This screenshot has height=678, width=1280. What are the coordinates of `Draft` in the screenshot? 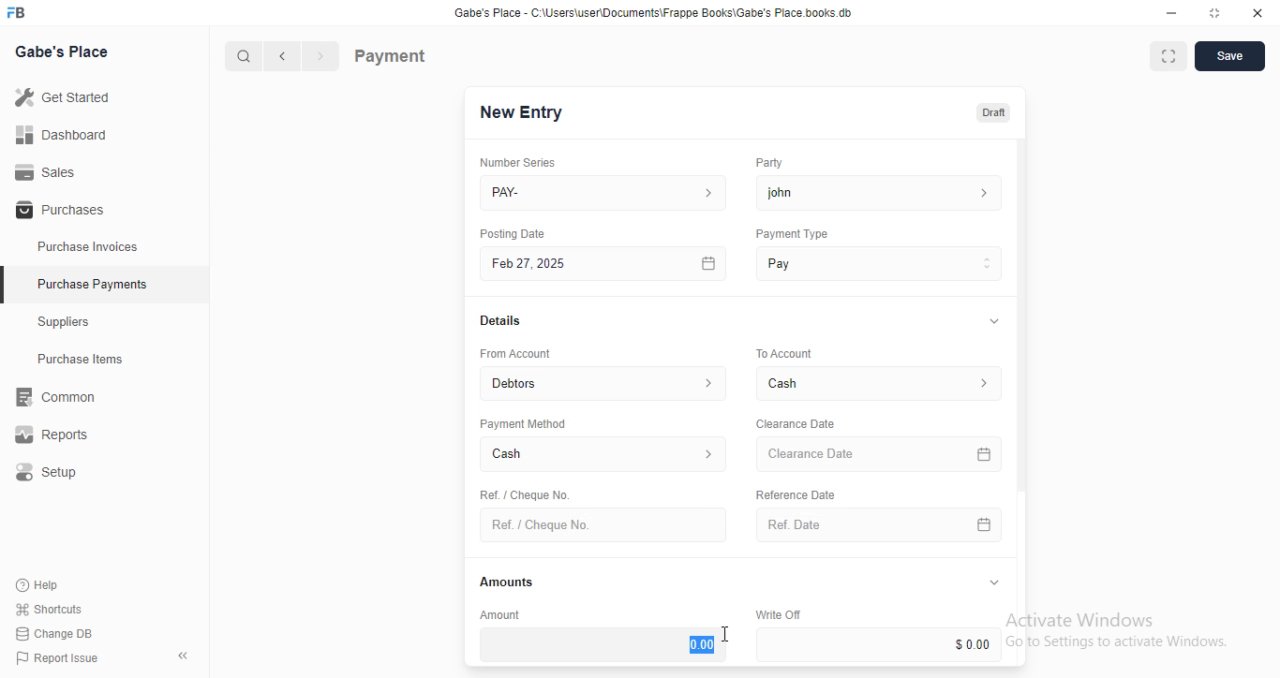 It's located at (990, 111).